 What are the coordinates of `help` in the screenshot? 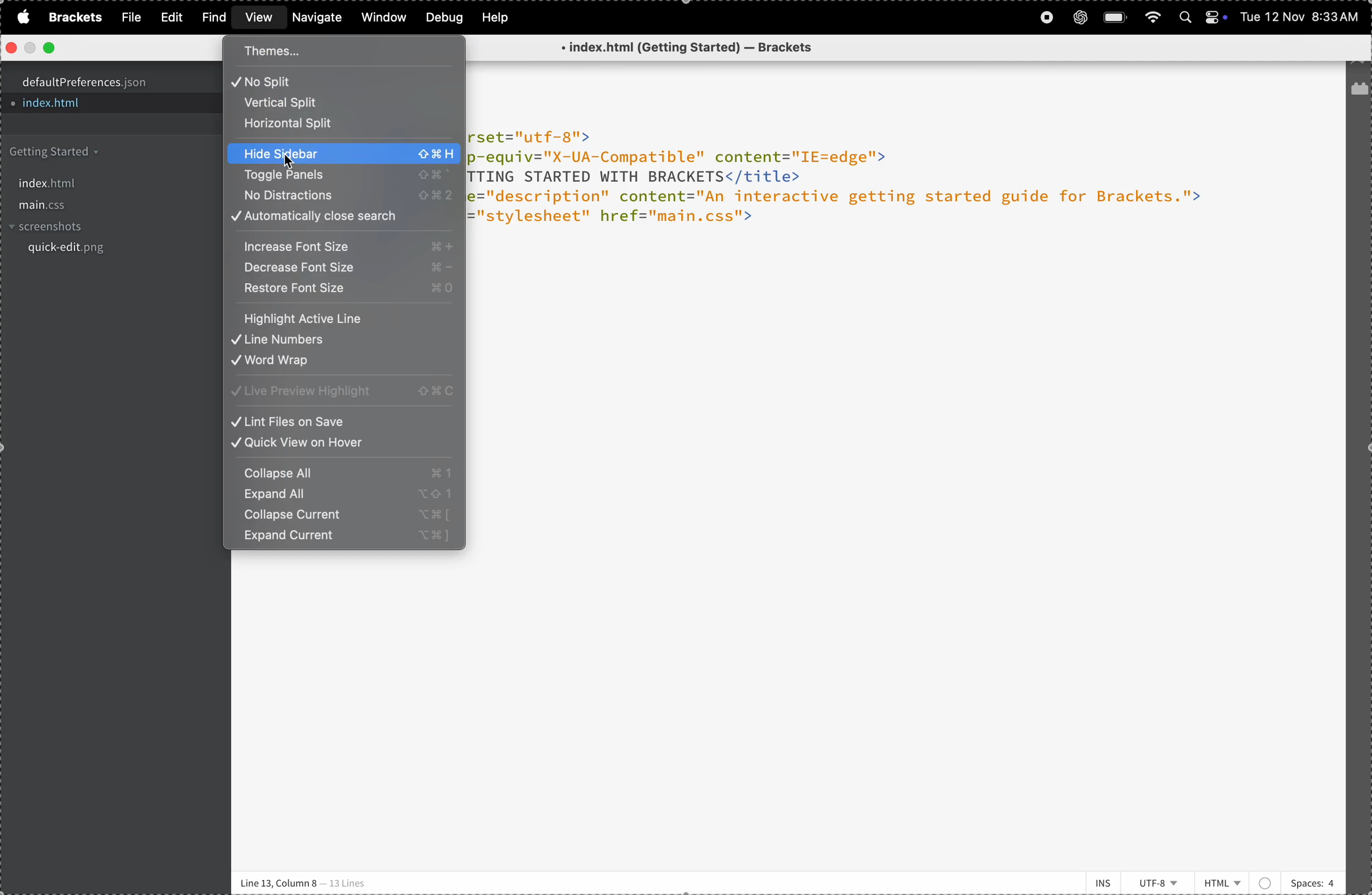 It's located at (499, 17).